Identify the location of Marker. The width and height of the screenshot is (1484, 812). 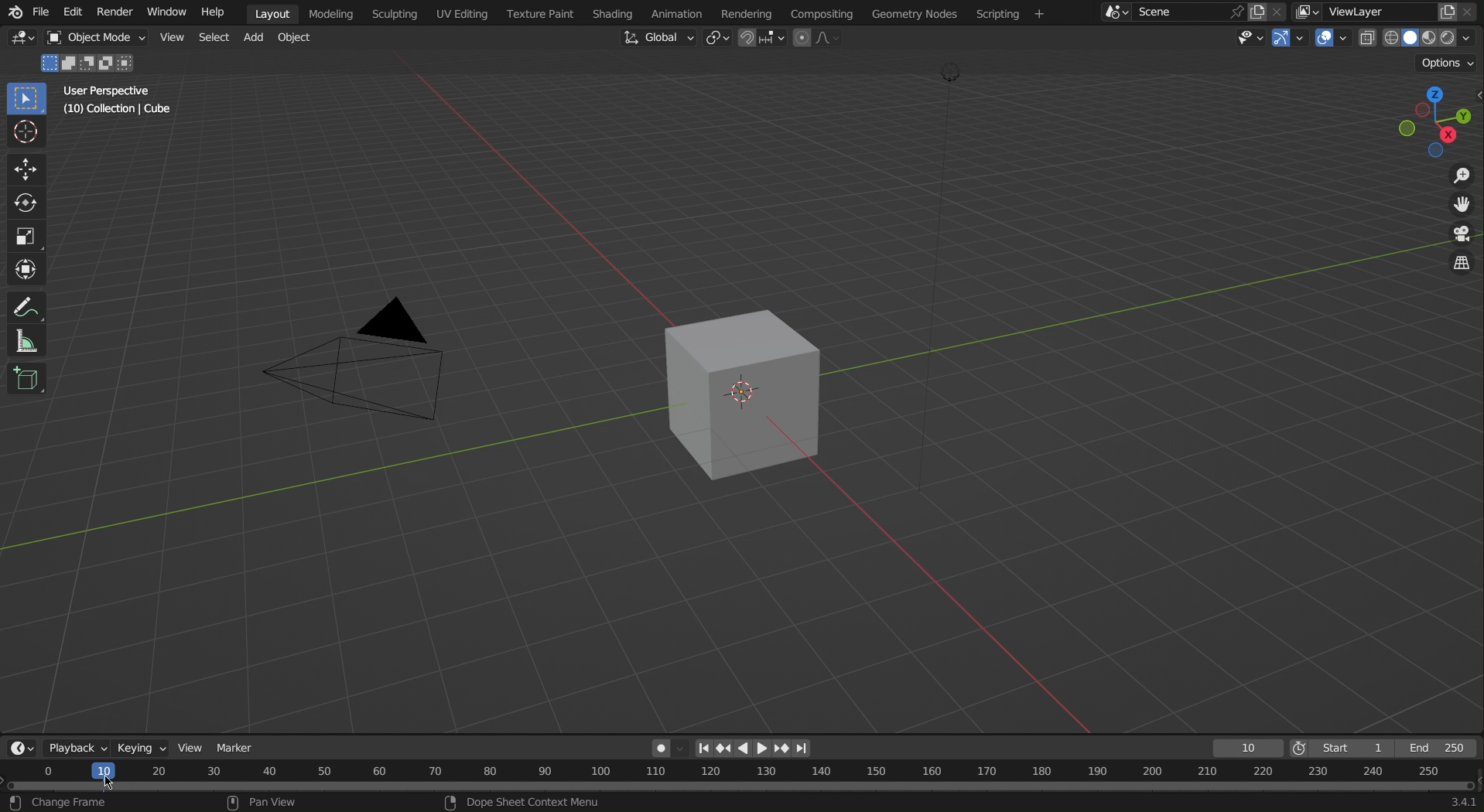
(244, 745).